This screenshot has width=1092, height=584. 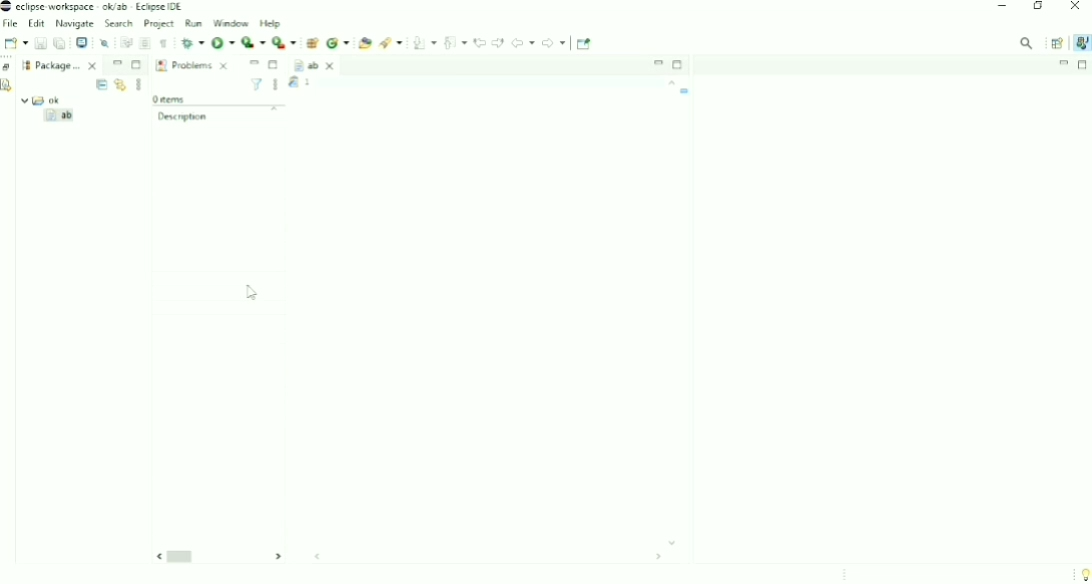 What do you see at coordinates (59, 43) in the screenshot?
I see `Save All` at bounding box center [59, 43].